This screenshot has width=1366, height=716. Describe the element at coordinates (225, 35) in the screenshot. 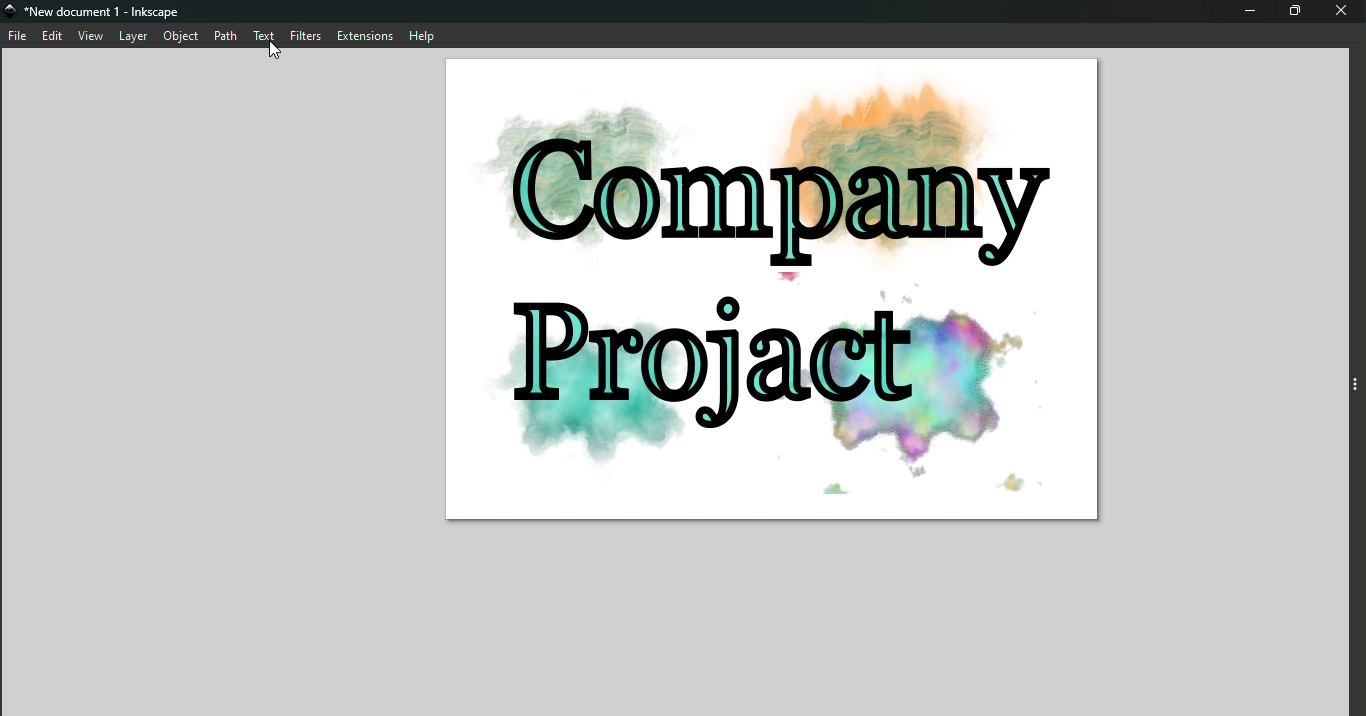

I see `path` at that location.